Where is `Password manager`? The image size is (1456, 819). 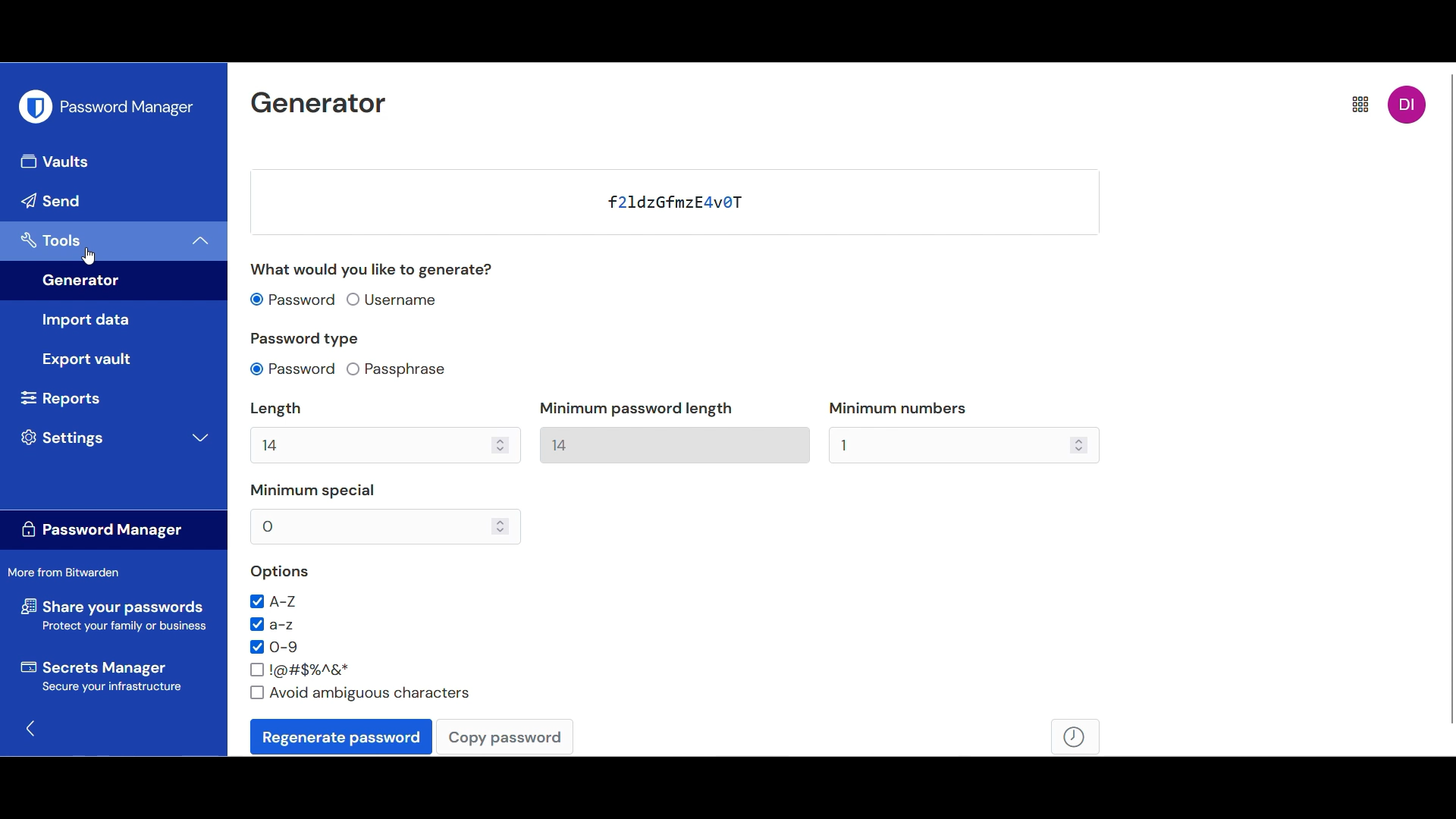 Password manager is located at coordinates (115, 529).